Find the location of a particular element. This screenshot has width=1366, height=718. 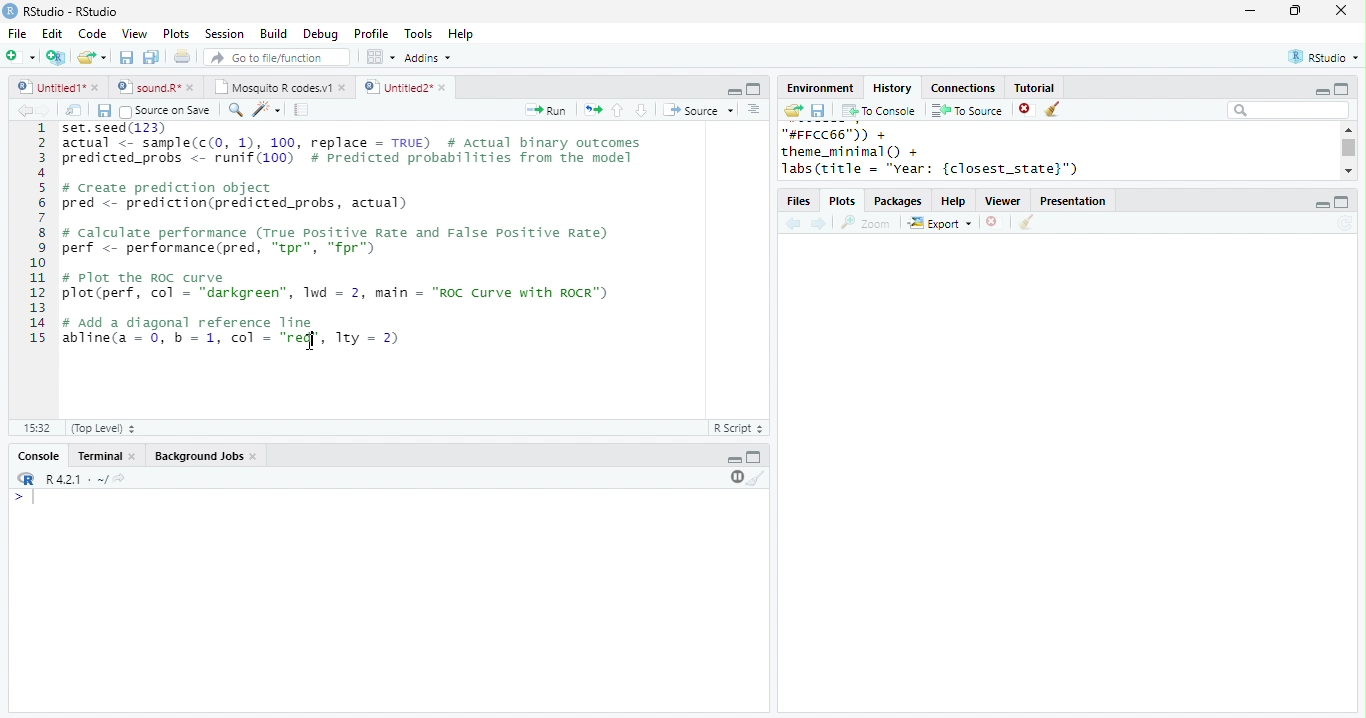

Export is located at coordinates (941, 224).